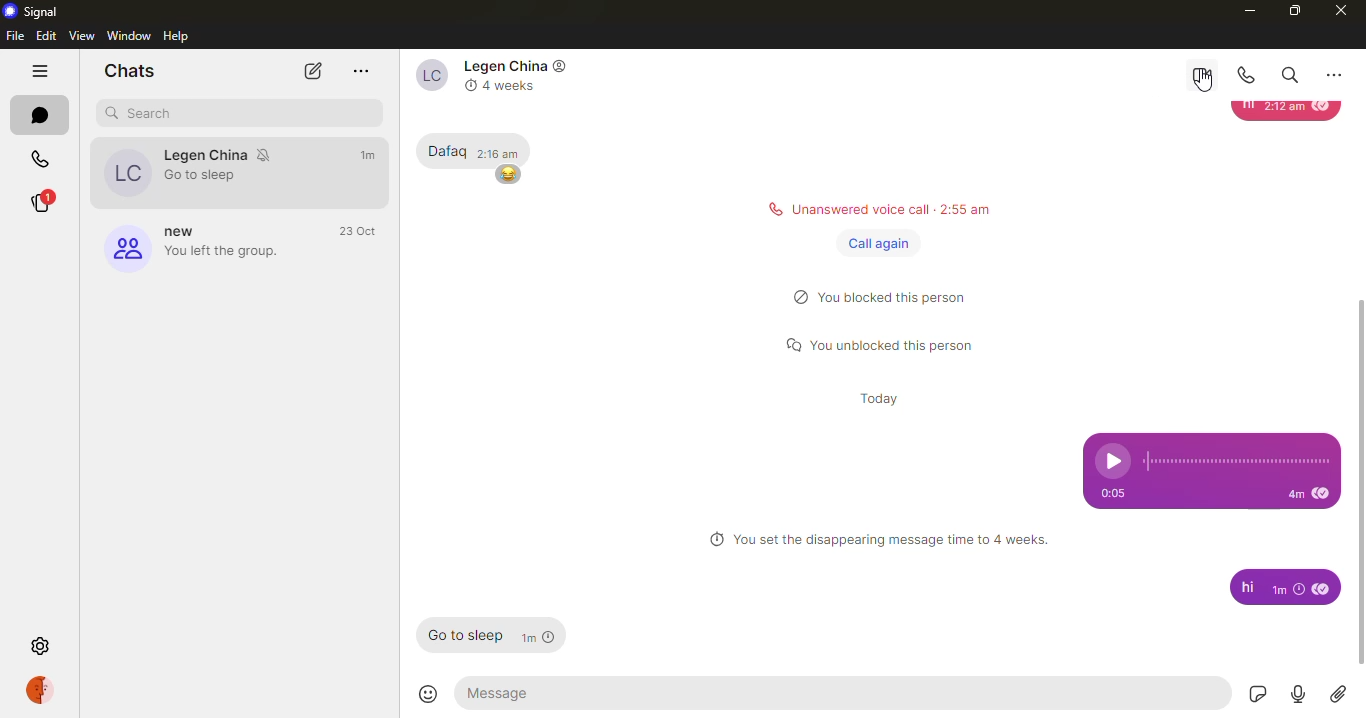 This screenshot has width=1366, height=718. What do you see at coordinates (542, 637) in the screenshot?
I see `1m` at bounding box center [542, 637].